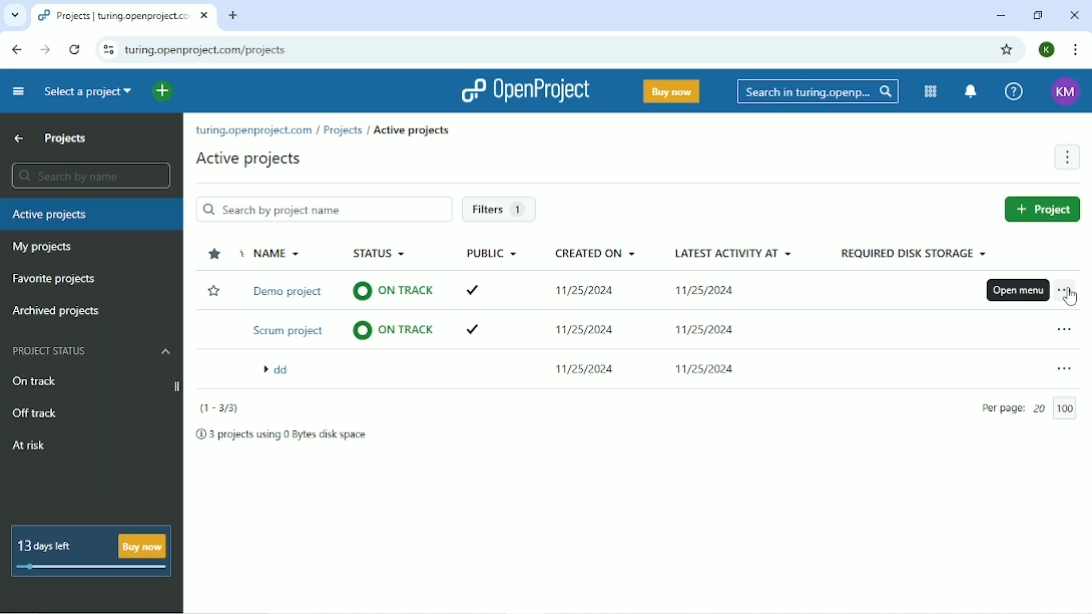 Image resolution: width=1092 pixels, height=614 pixels. What do you see at coordinates (1013, 92) in the screenshot?
I see `Help` at bounding box center [1013, 92].